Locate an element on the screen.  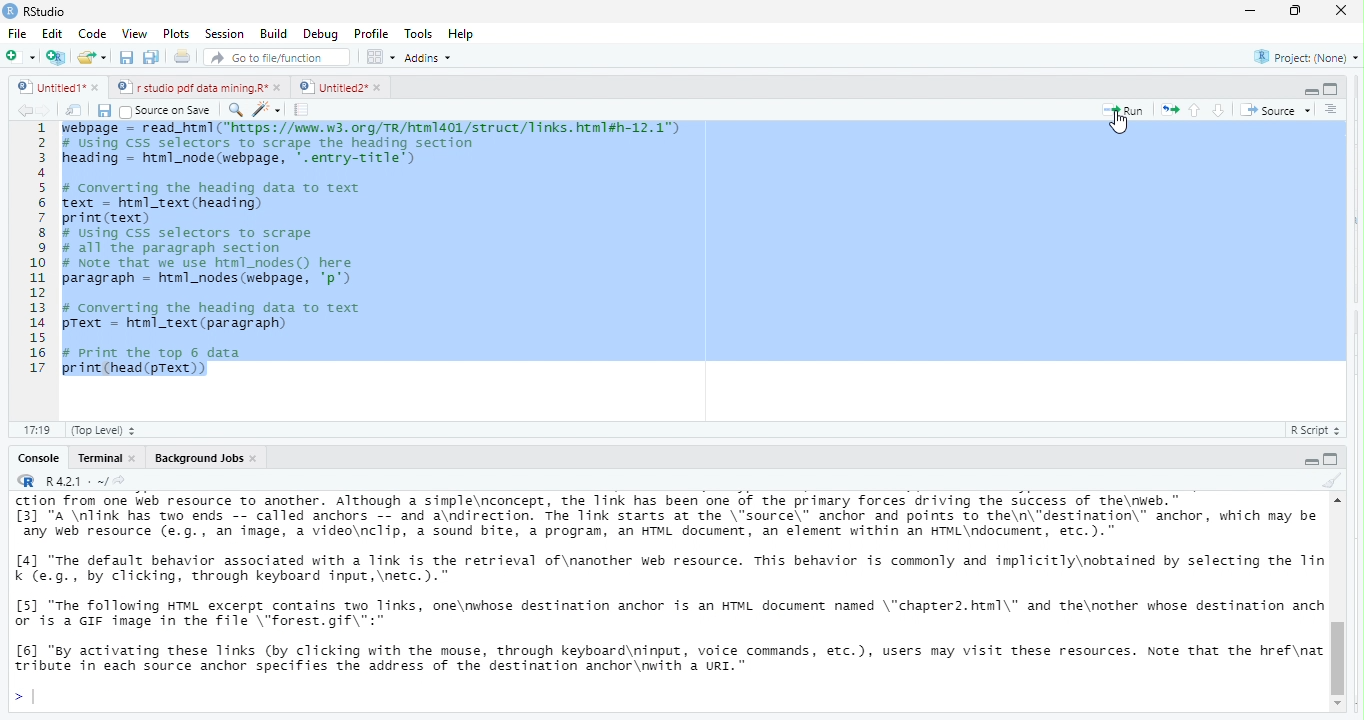
hide console is located at coordinates (1331, 87).